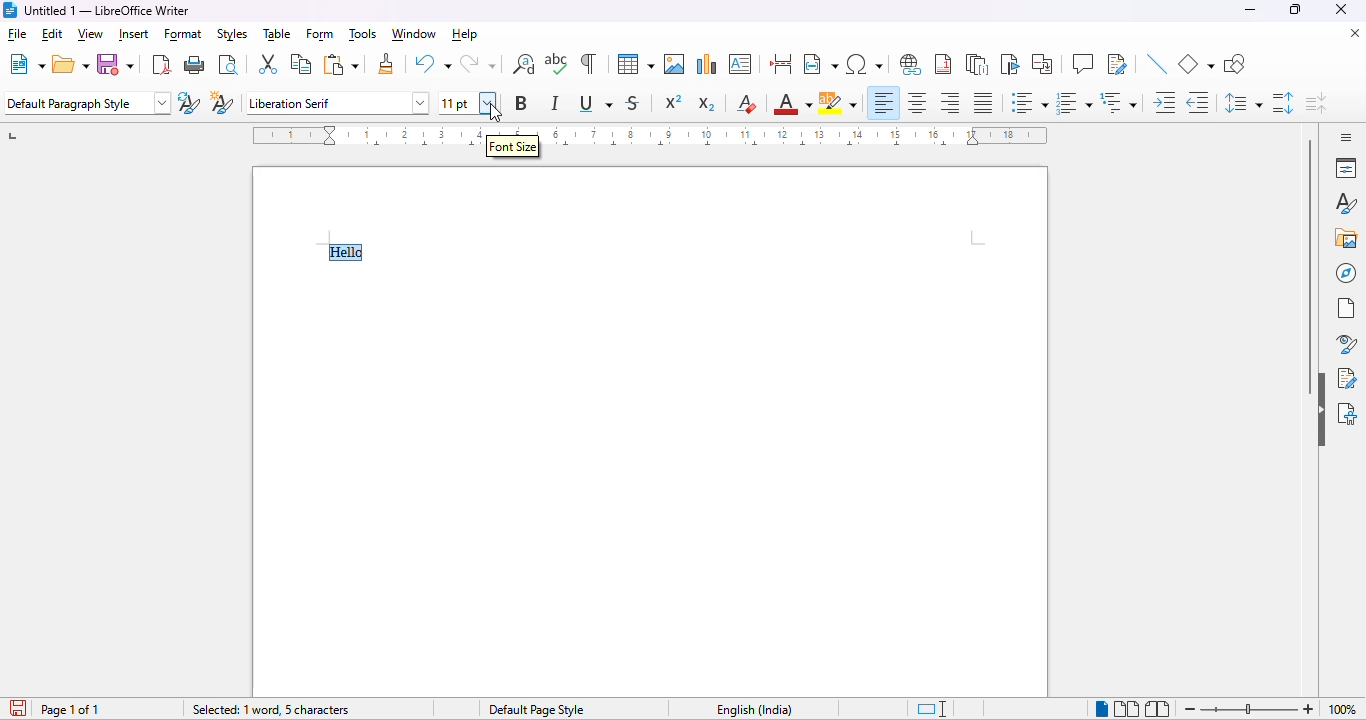  Describe the element at coordinates (1341, 9) in the screenshot. I see `close` at that location.